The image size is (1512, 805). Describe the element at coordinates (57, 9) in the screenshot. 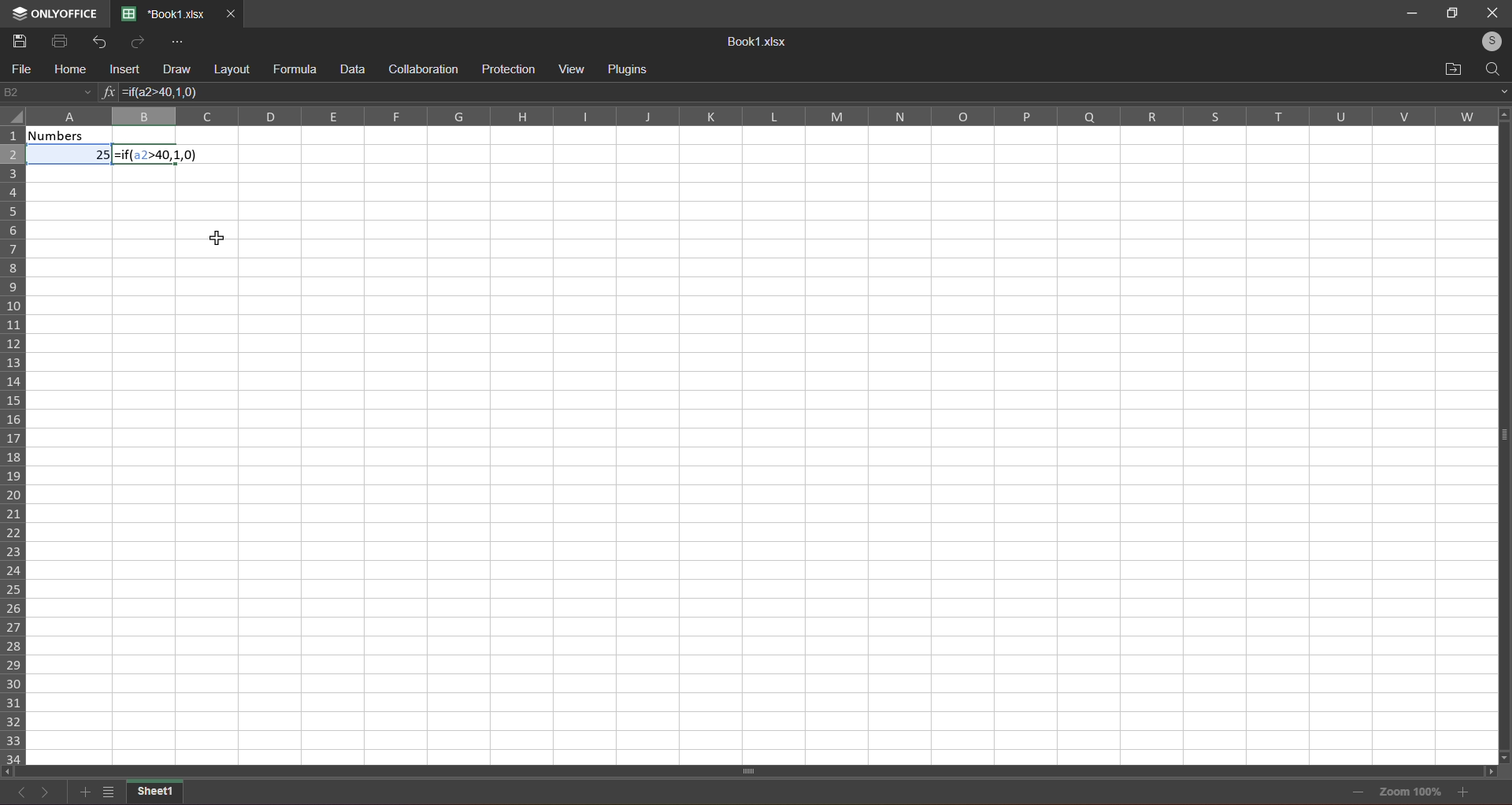

I see `onlyoffice` at that location.